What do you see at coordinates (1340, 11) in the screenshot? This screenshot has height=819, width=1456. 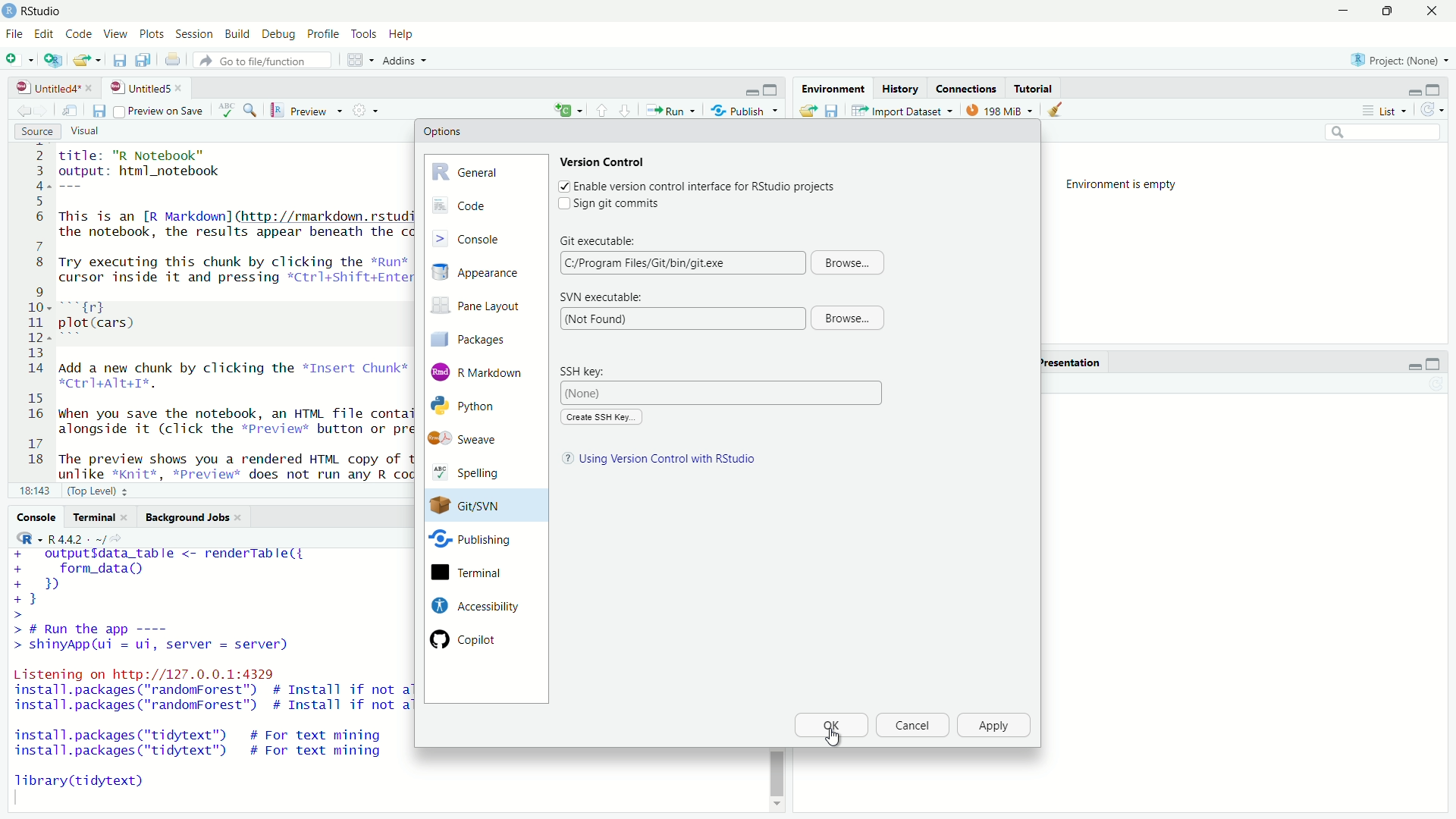 I see `minimise` at bounding box center [1340, 11].